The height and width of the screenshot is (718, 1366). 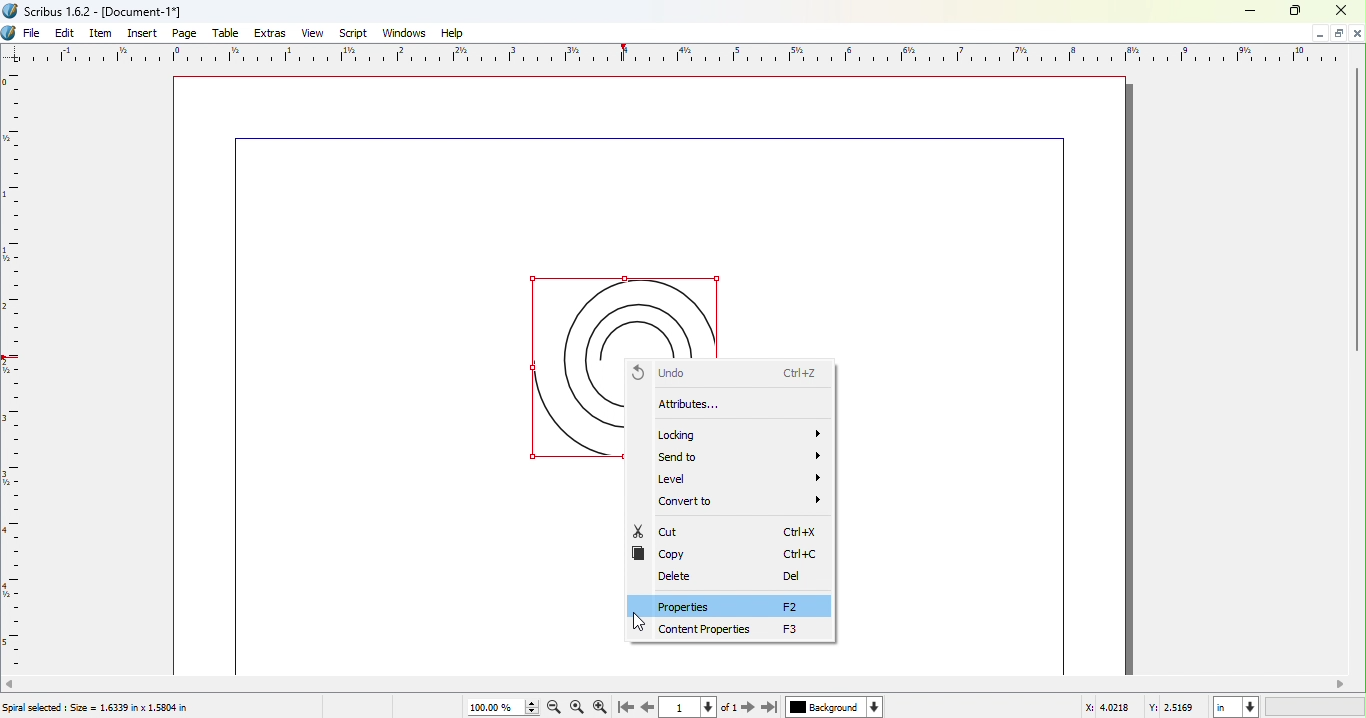 I want to click on Locking, so click(x=738, y=435).